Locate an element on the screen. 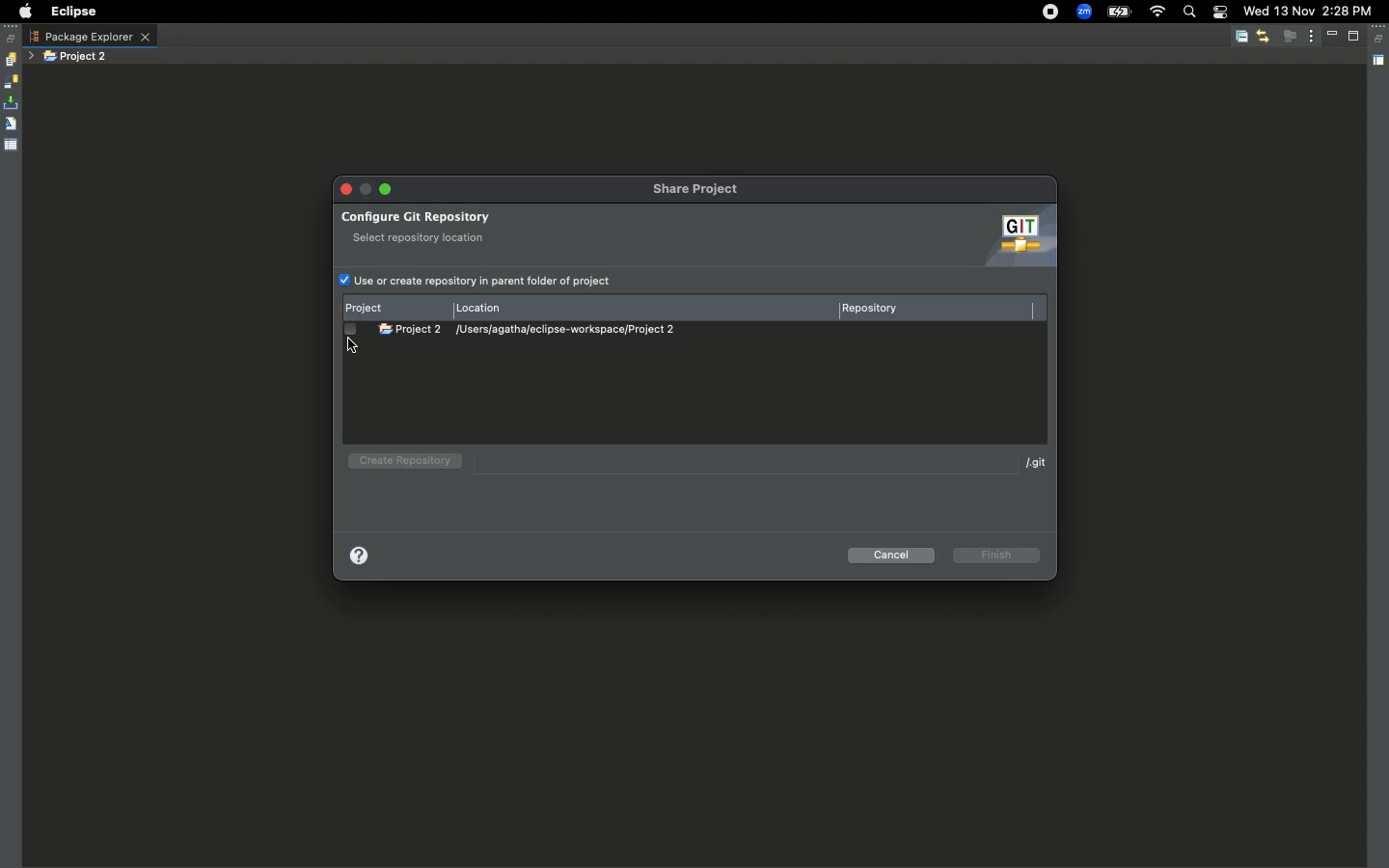 The height and width of the screenshot is (868, 1389). Synchronize is located at coordinates (11, 82).